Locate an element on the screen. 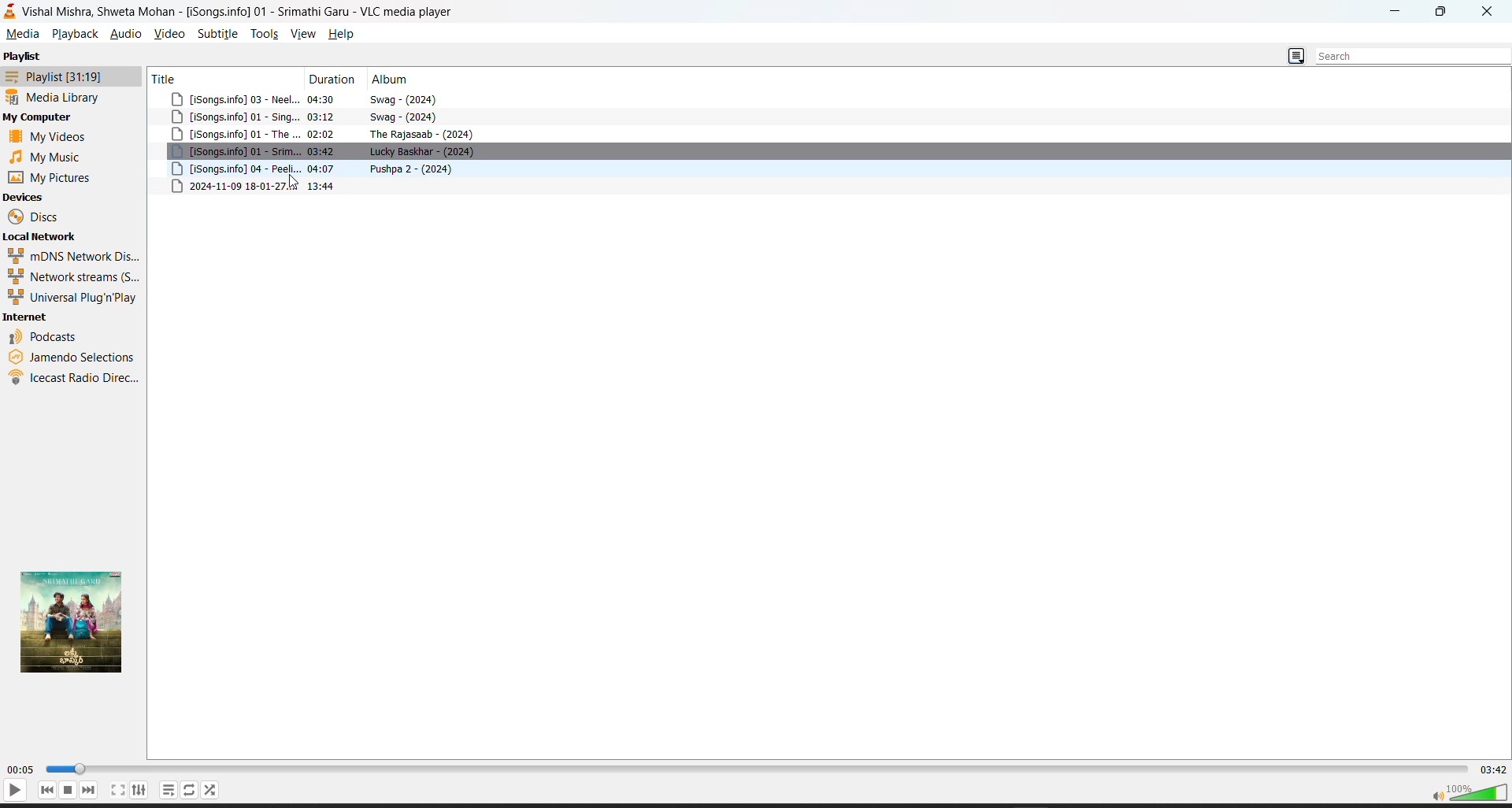  ice cast radio direct is located at coordinates (75, 379).